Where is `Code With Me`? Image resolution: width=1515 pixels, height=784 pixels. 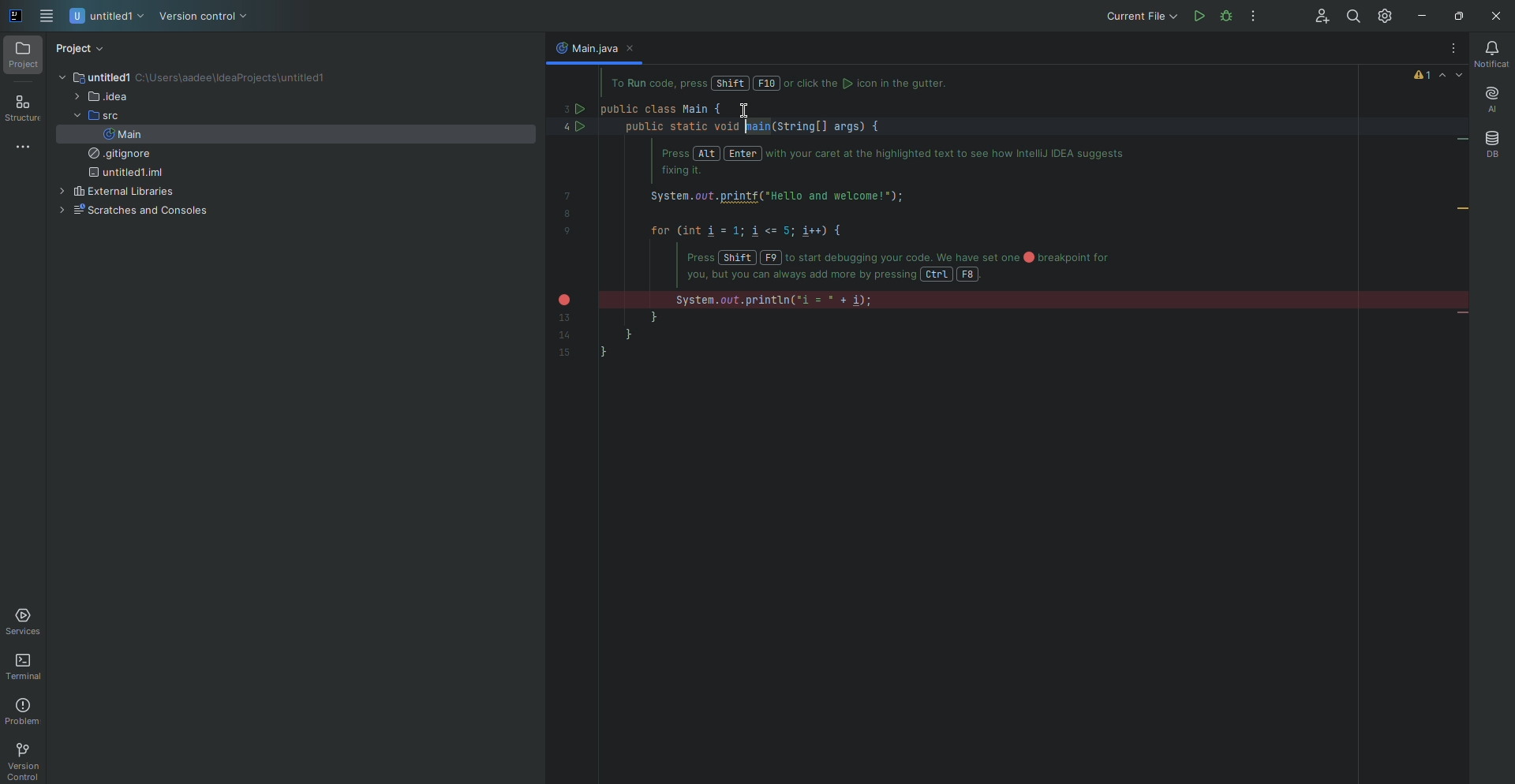 Code With Me is located at coordinates (1316, 17).